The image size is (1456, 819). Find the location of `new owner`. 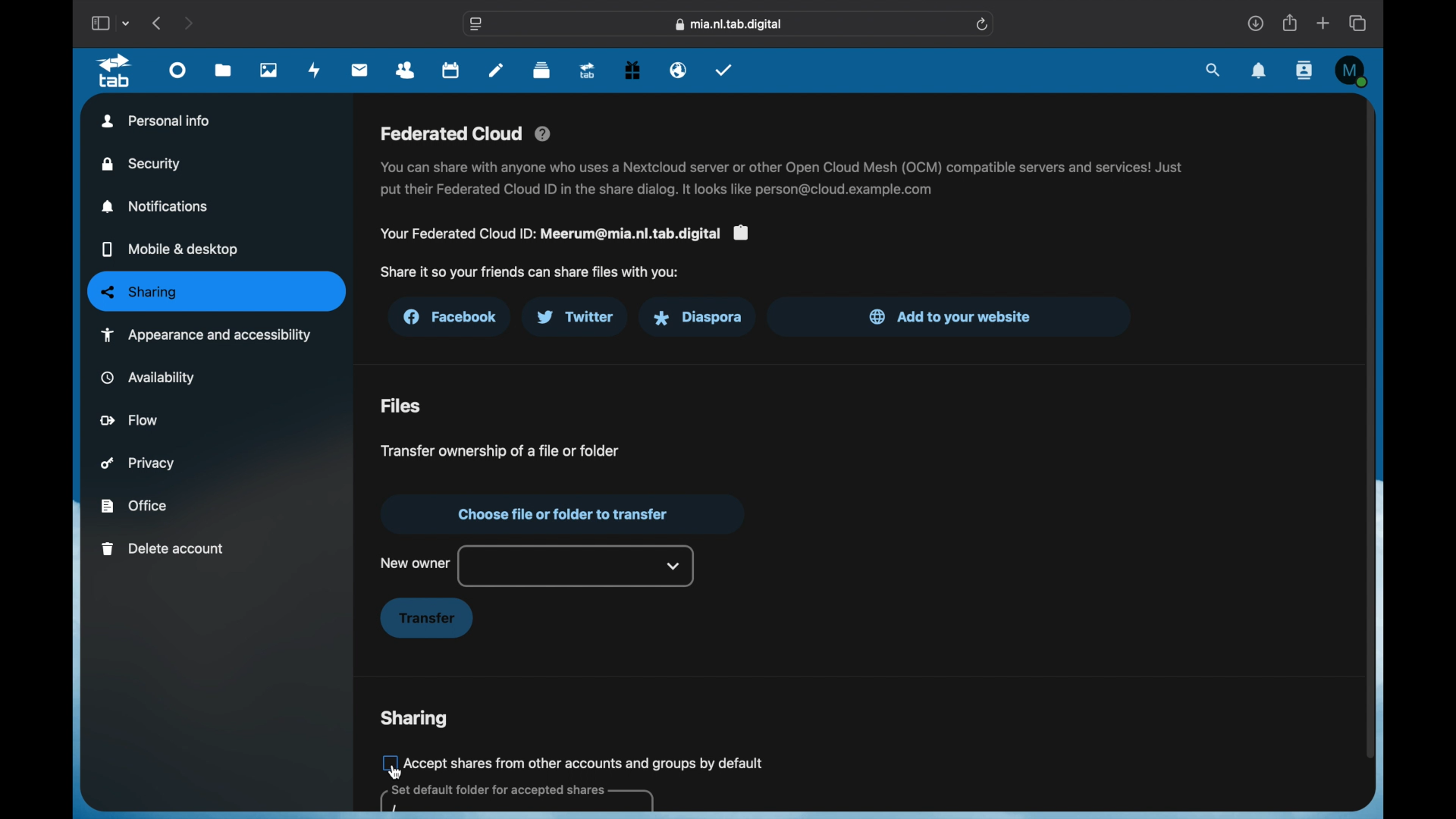

new owner is located at coordinates (415, 563).